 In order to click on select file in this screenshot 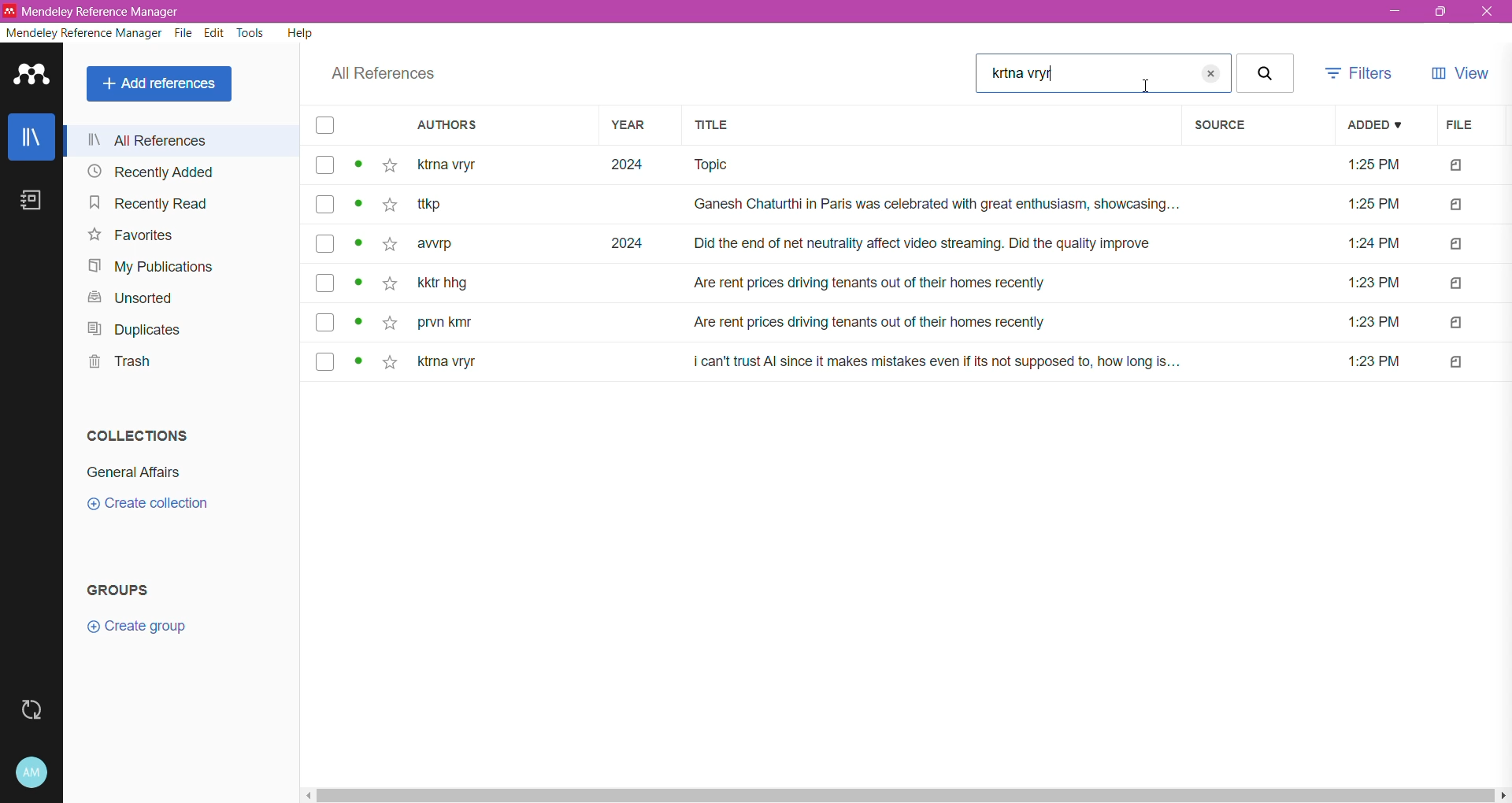, I will do `click(322, 206)`.